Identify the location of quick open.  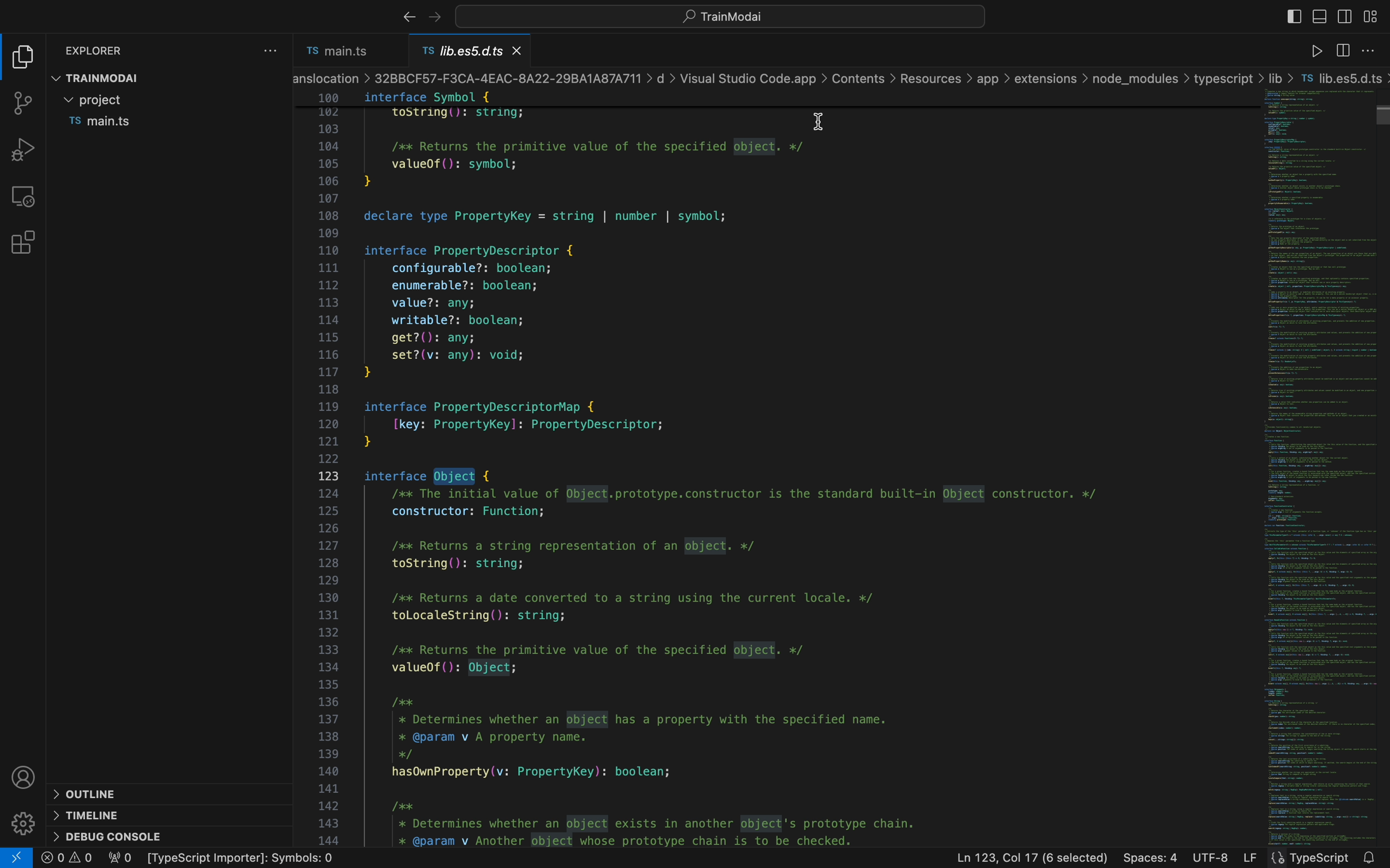
(729, 15).